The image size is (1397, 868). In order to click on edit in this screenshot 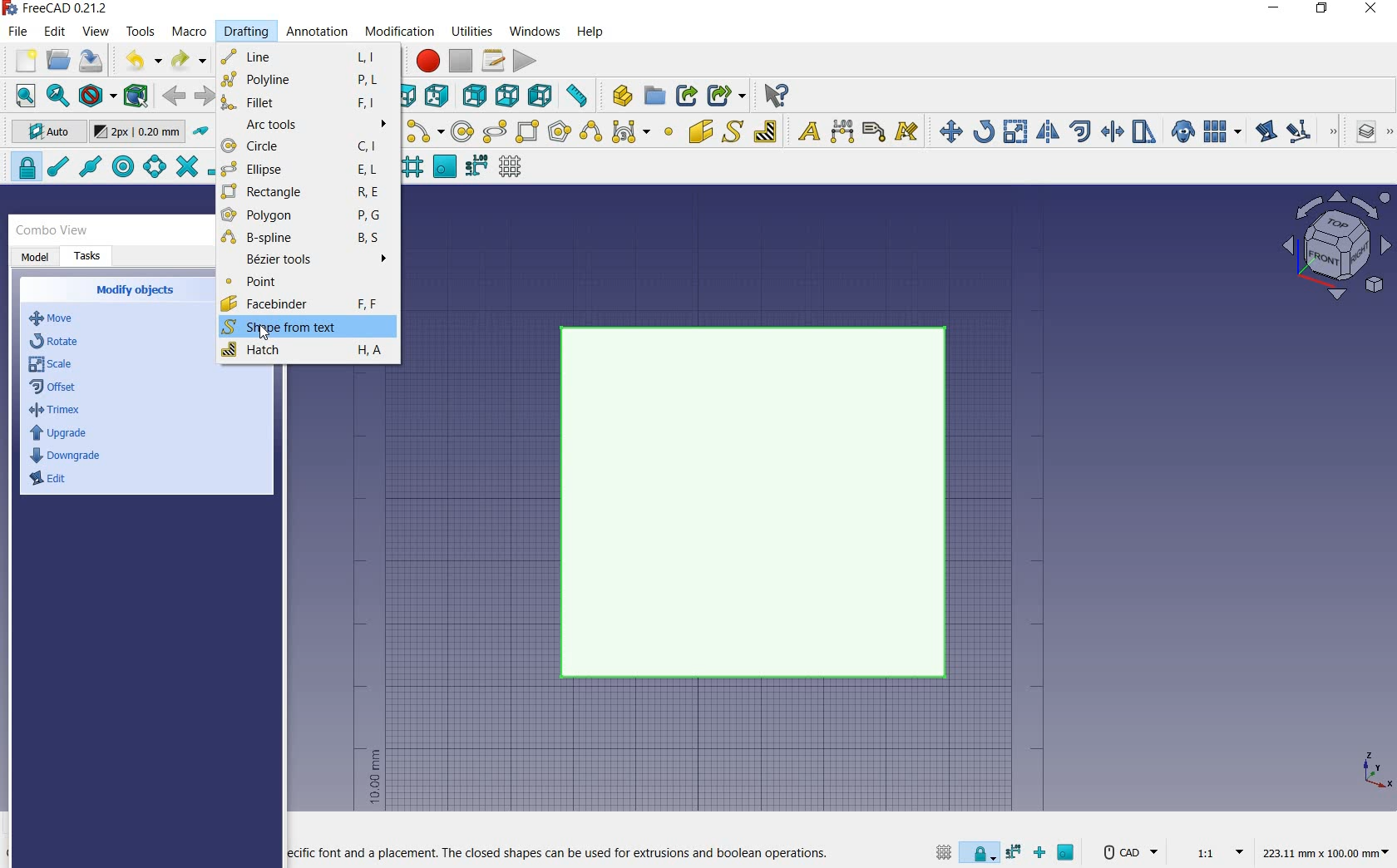, I will do `click(52, 483)`.